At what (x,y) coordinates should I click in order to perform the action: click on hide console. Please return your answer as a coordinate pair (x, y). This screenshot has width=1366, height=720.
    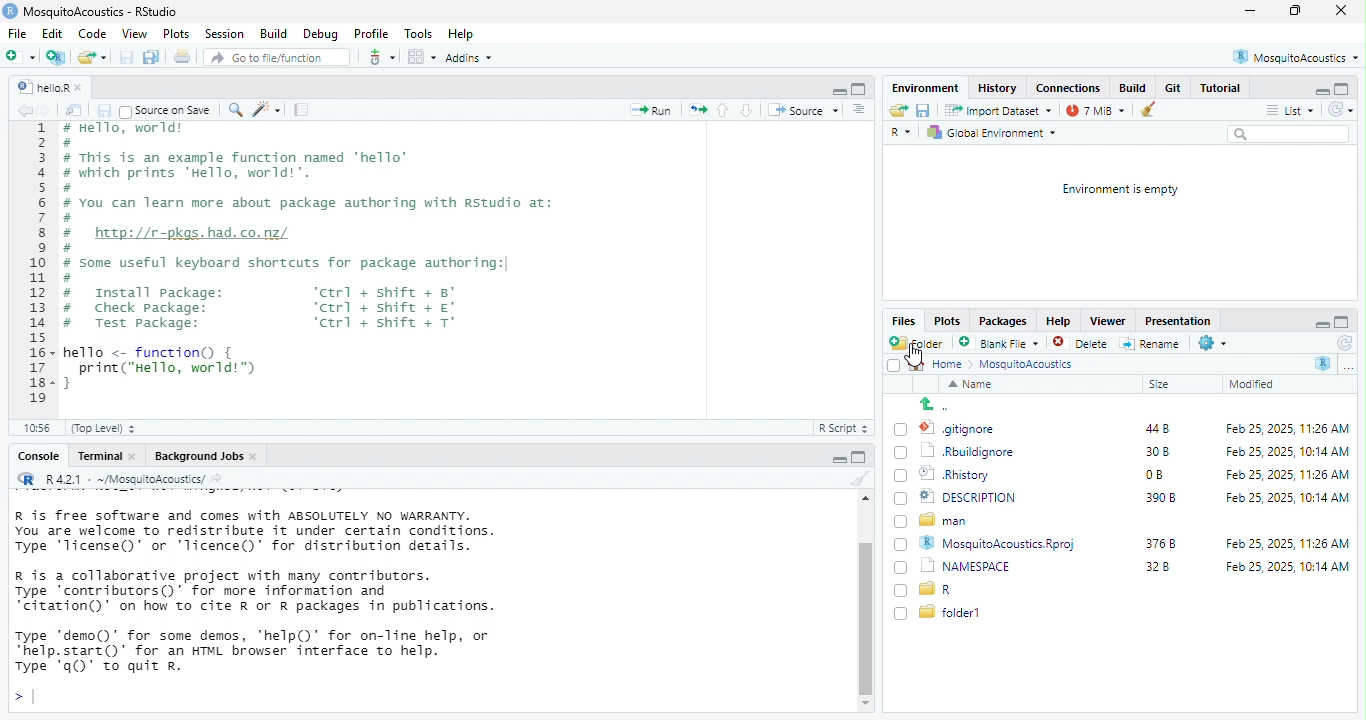
    Looking at the image, I should click on (1344, 320).